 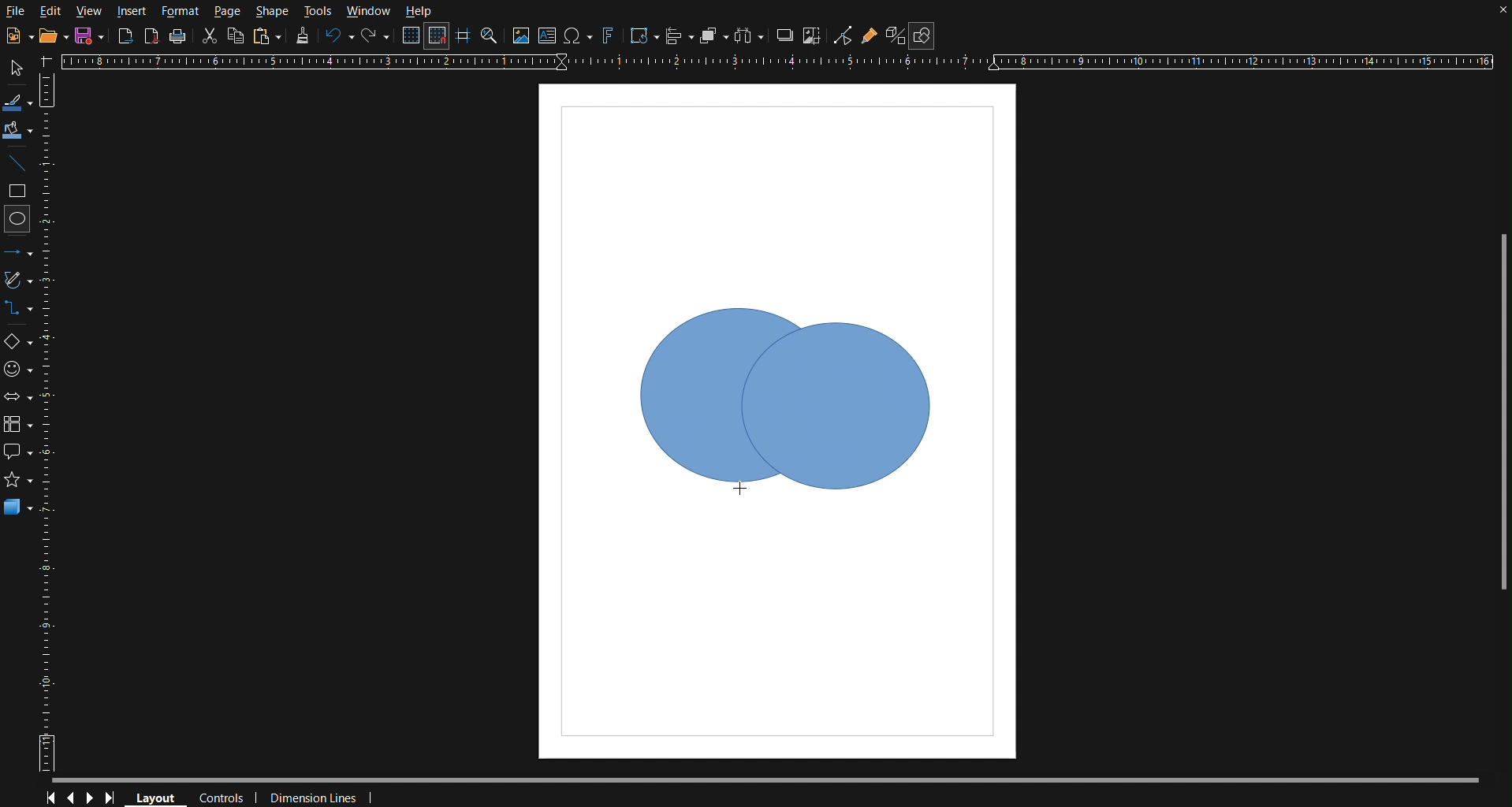 What do you see at coordinates (19, 131) in the screenshot?
I see `Fill Color` at bounding box center [19, 131].